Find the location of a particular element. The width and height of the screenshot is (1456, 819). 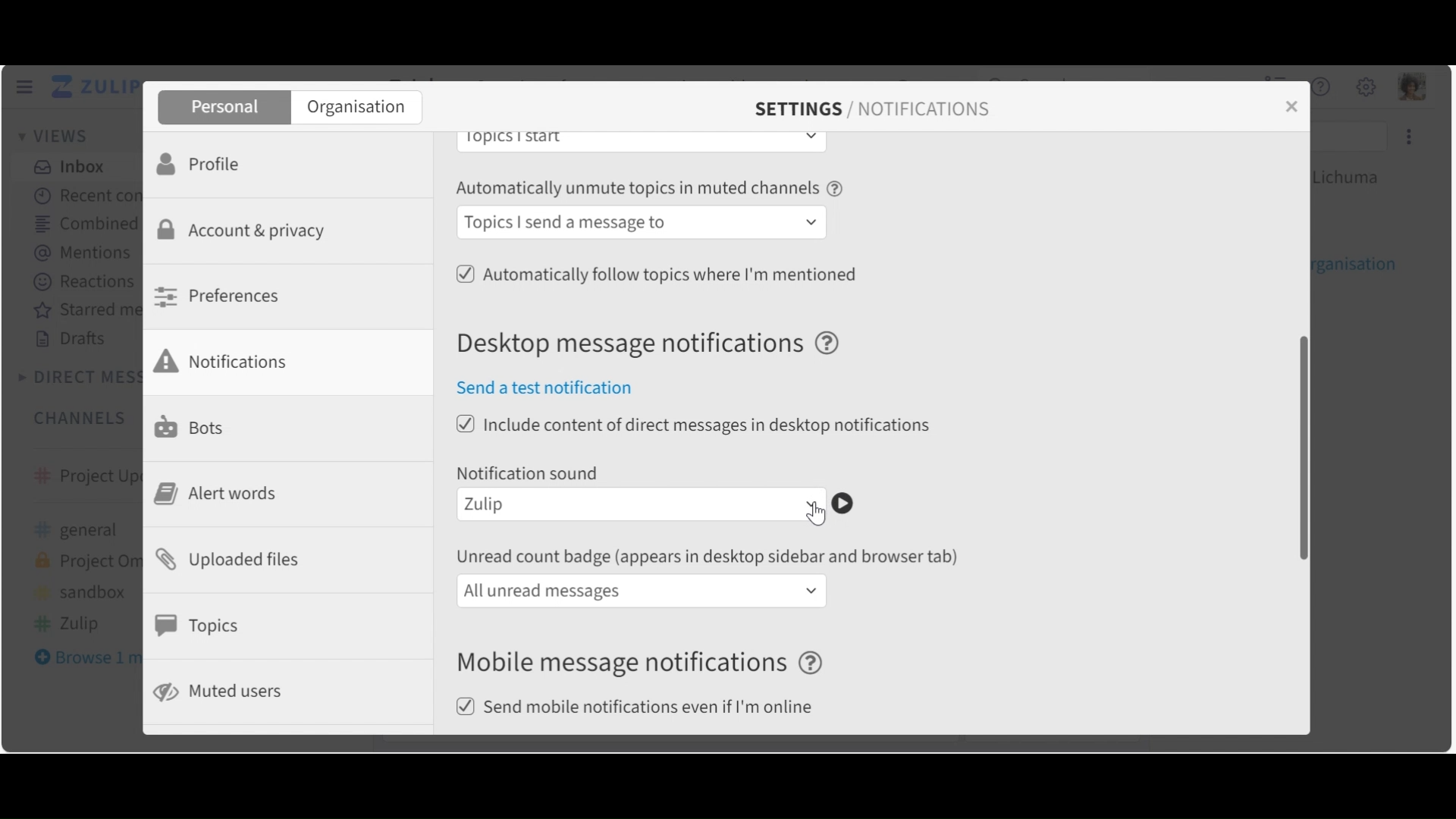

SETTINGS / NOTIFICATIONS is located at coordinates (872, 109).